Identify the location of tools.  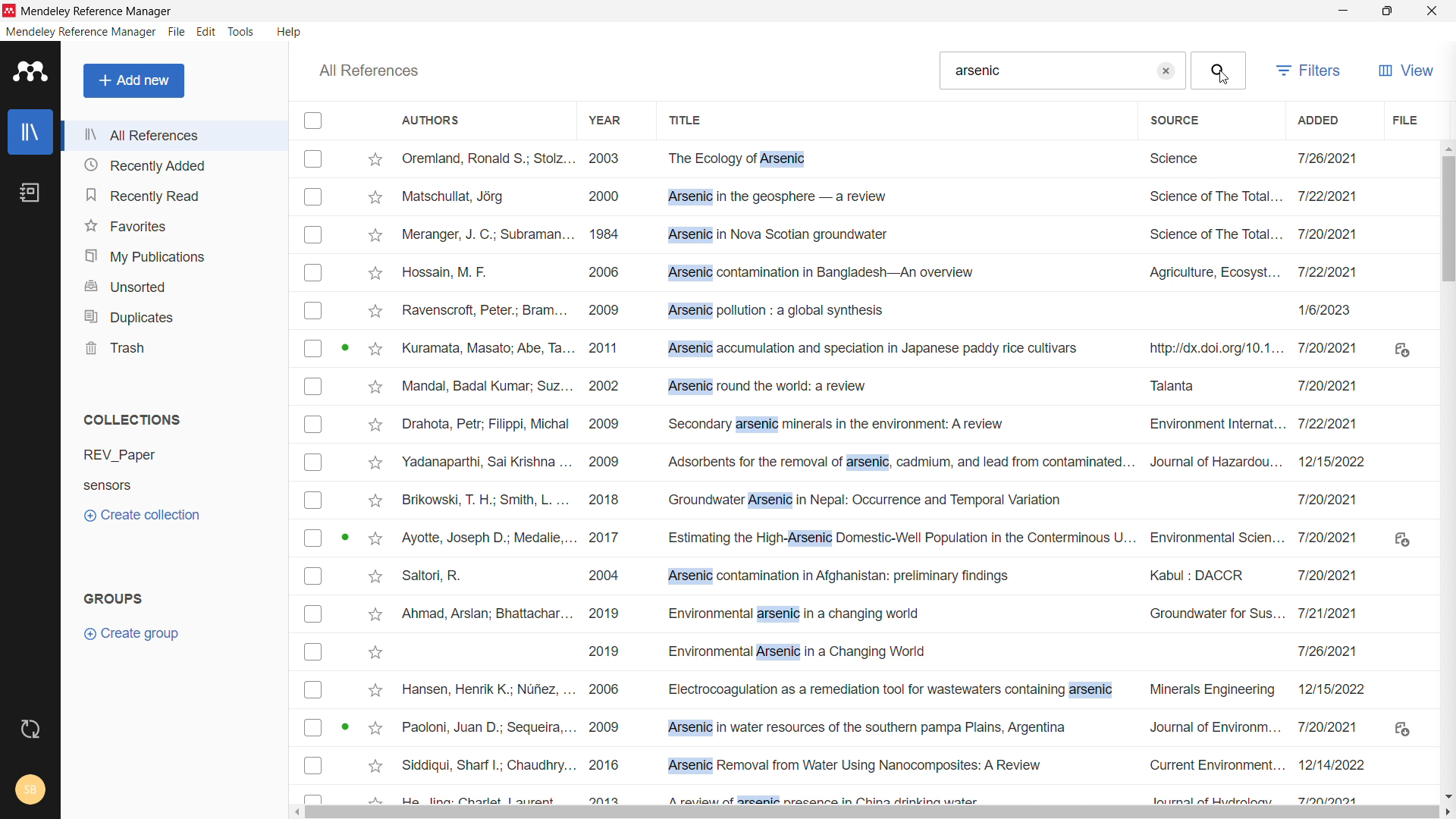
(241, 32).